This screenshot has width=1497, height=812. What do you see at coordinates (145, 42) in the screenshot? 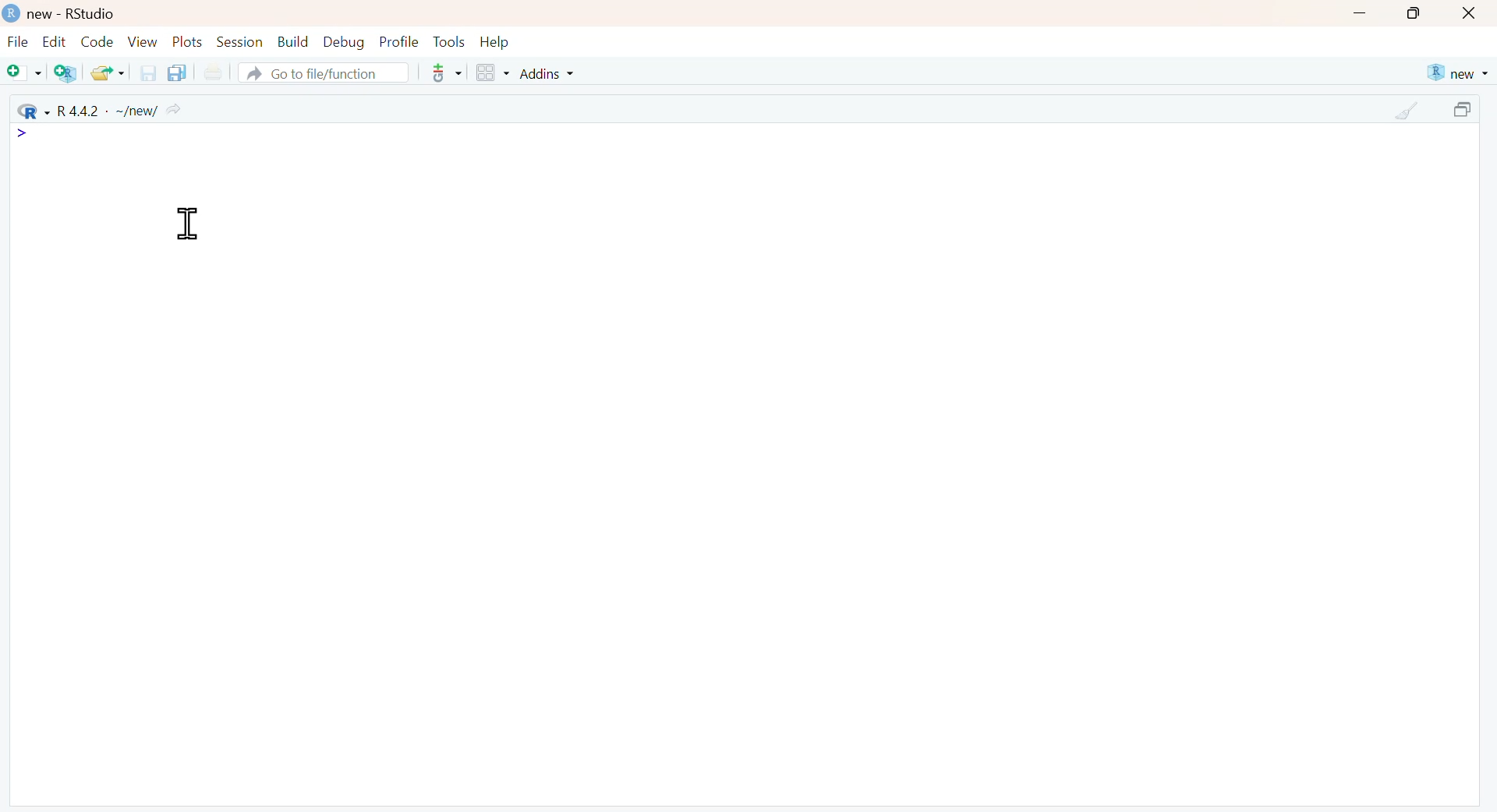
I see `View` at bounding box center [145, 42].